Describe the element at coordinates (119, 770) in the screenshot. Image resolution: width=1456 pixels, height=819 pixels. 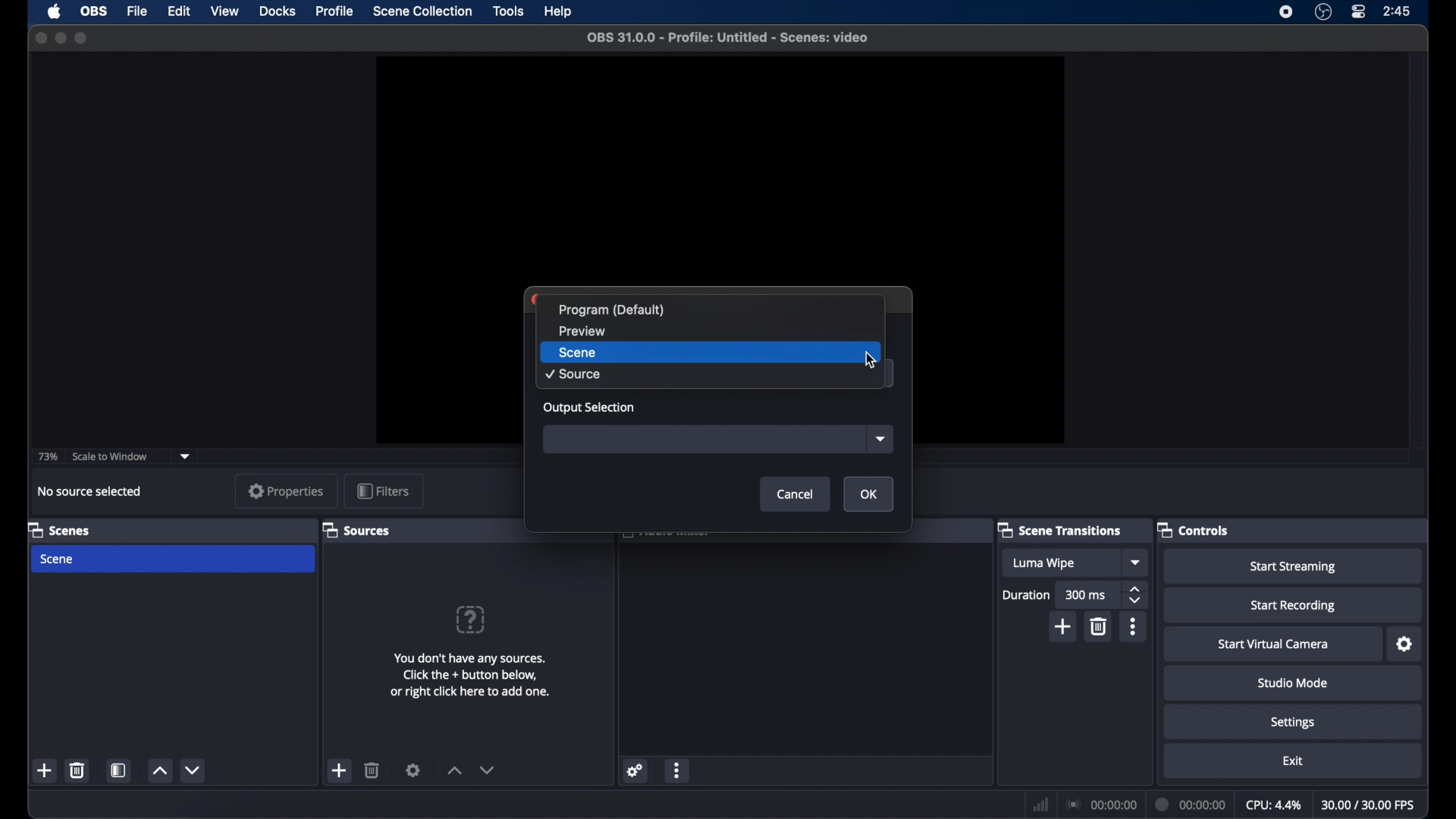
I see `scene filters` at that location.